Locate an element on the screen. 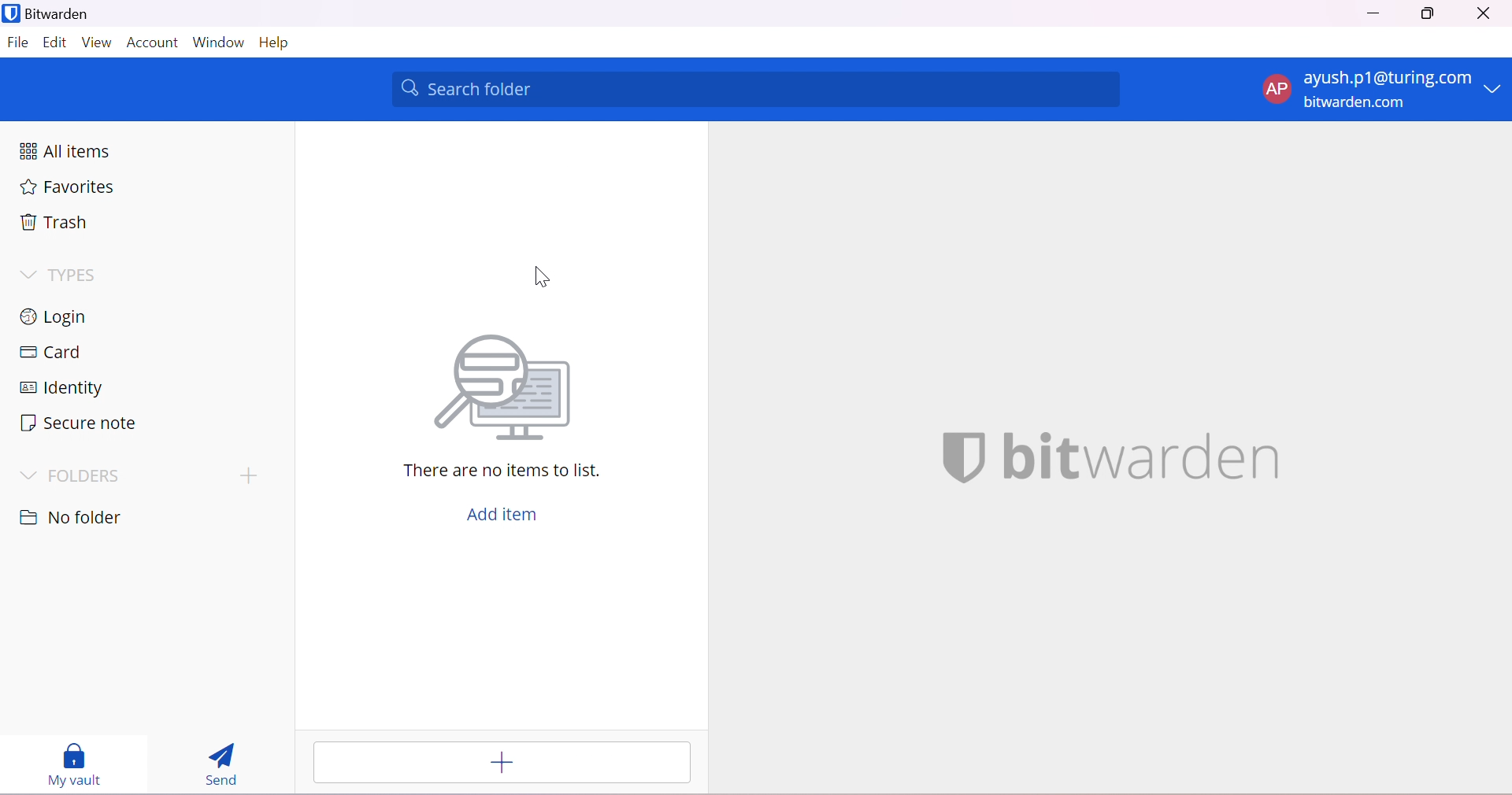  create folder is located at coordinates (245, 477).